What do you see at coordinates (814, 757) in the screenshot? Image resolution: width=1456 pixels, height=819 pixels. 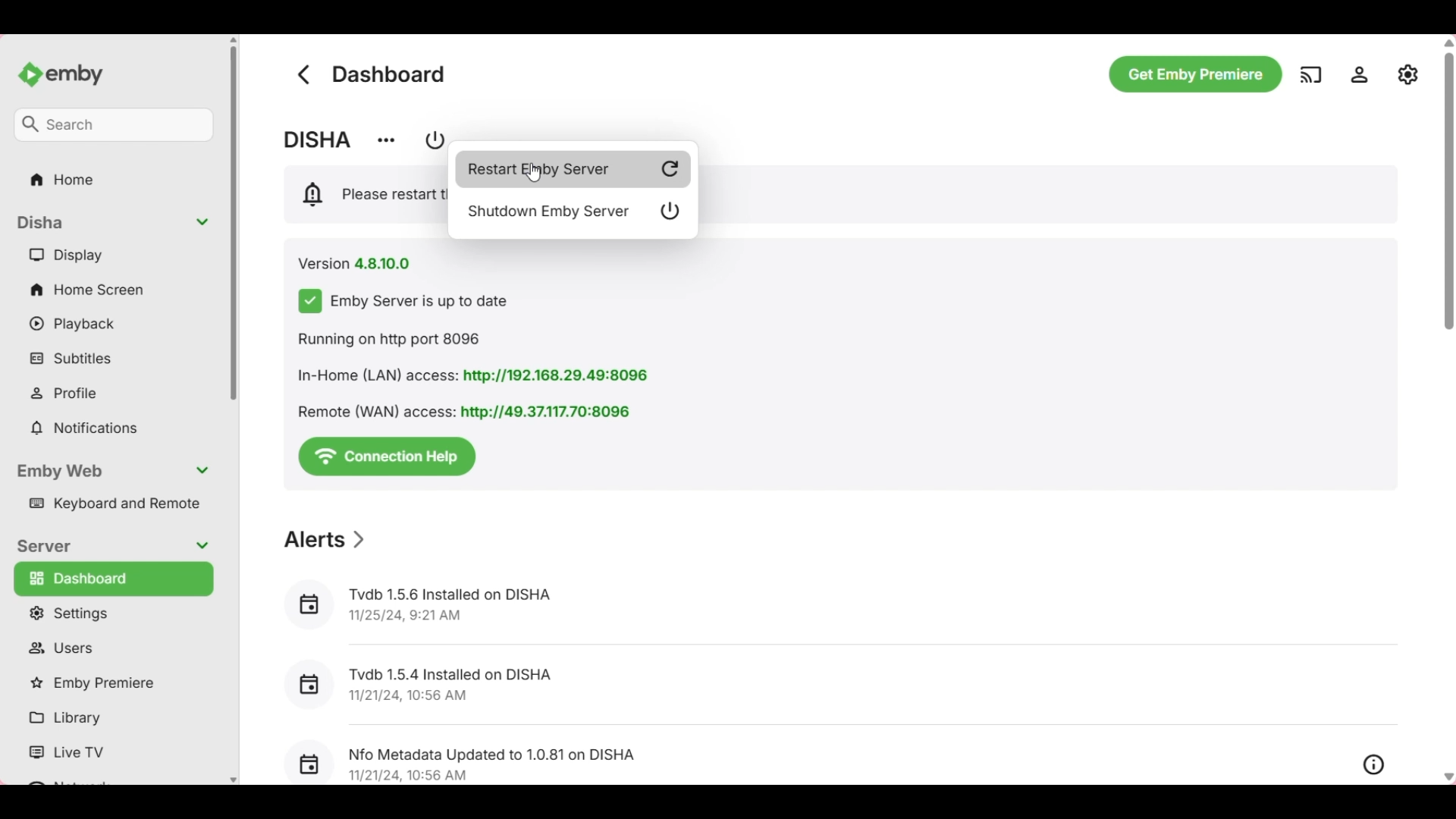 I see `Recent alert` at bounding box center [814, 757].